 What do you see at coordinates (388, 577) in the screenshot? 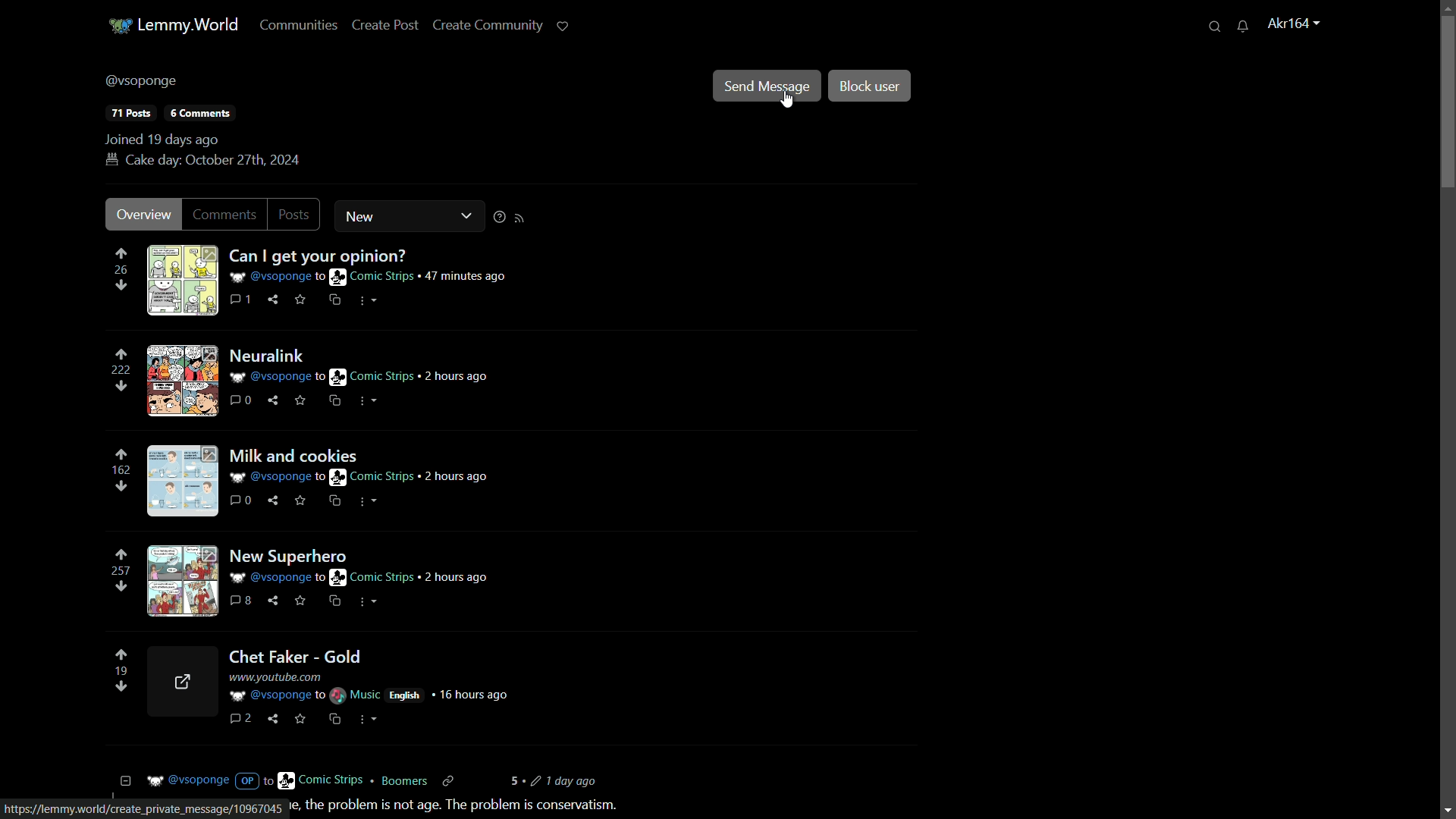
I see `post details` at bounding box center [388, 577].